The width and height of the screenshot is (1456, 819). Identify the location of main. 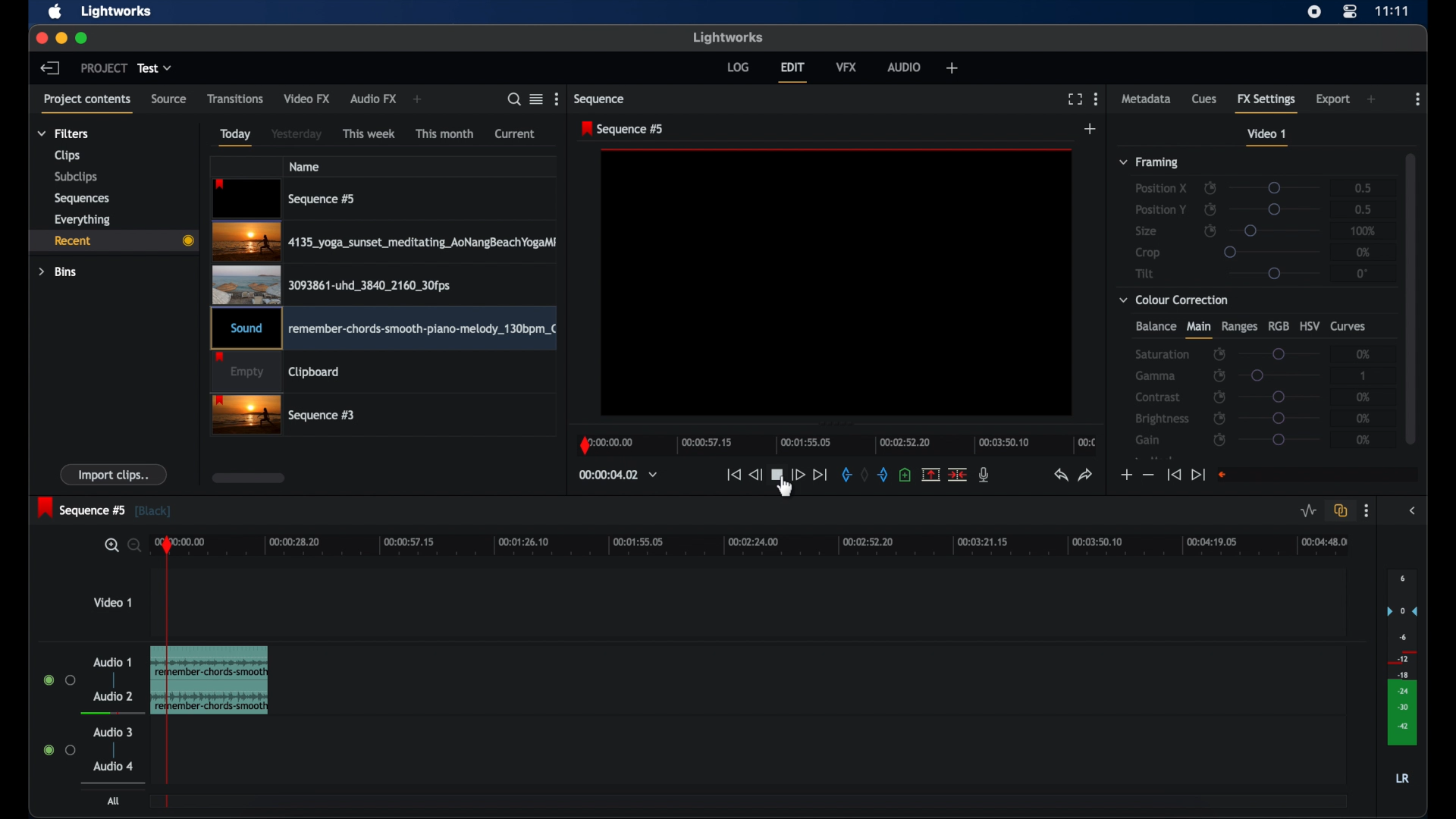
(1198, 330).